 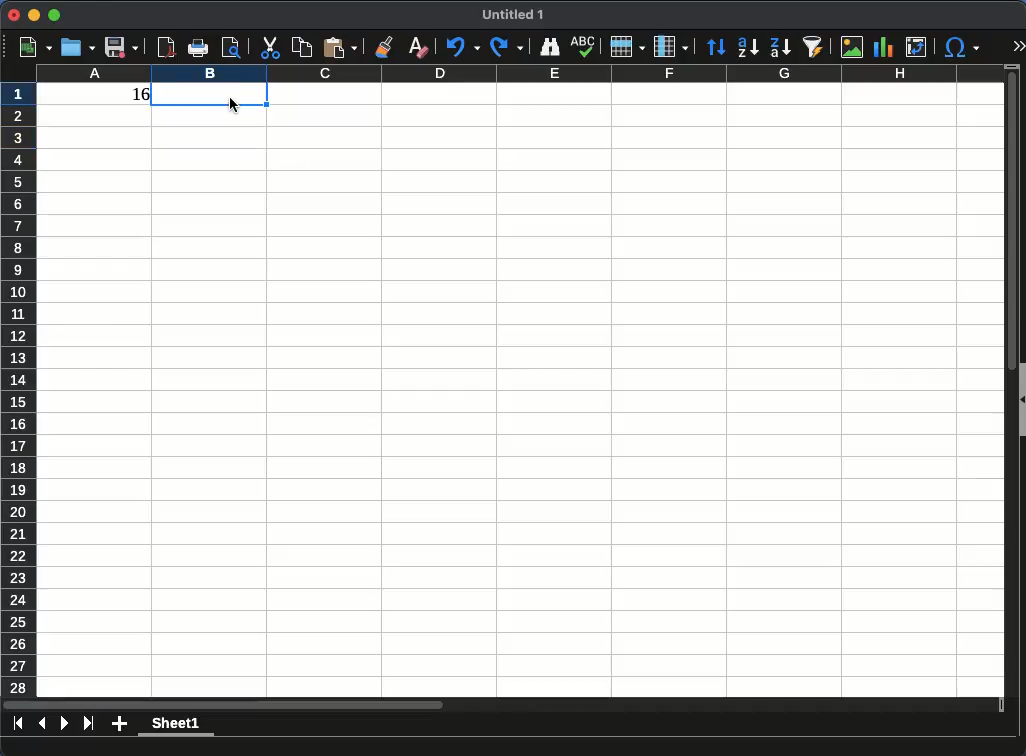 I want to click on scroll, so click(x=1007, y=381).